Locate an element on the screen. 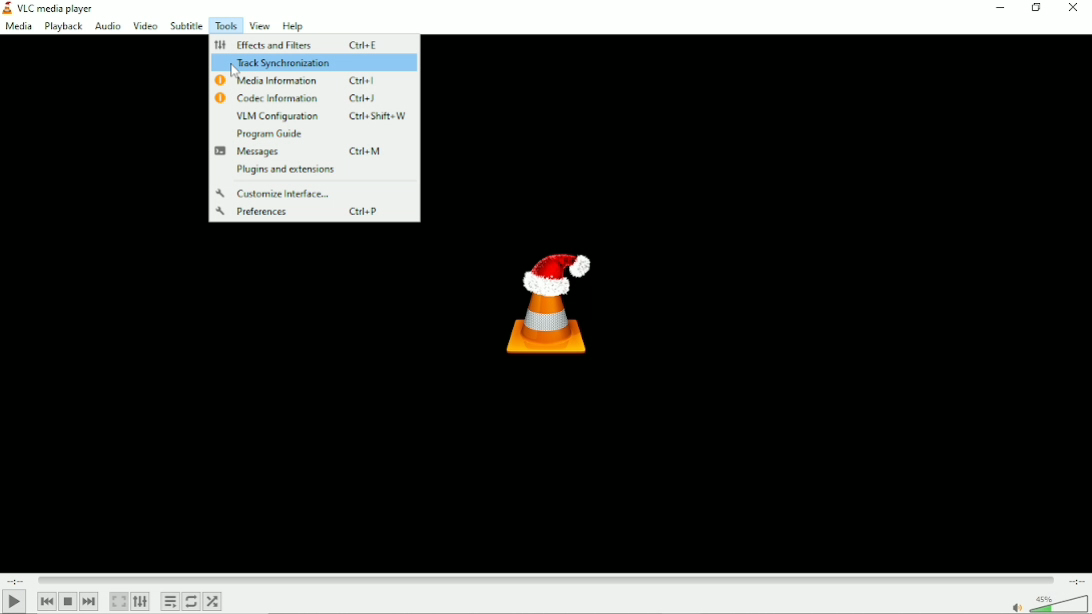  Messages is located at coordinates (315, 152).